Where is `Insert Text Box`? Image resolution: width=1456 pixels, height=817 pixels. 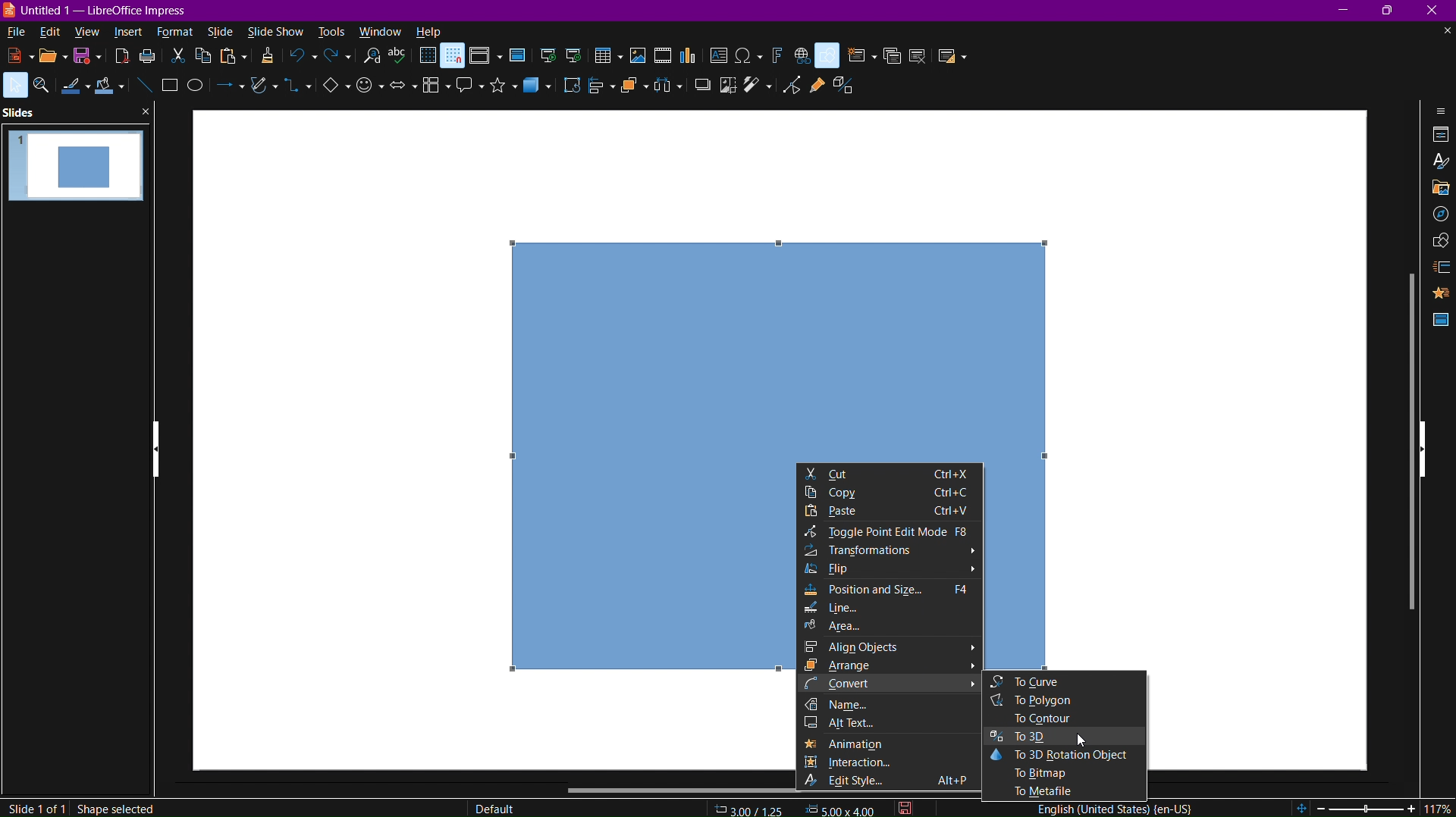
Insert Text Box is located at coordinates (721, 56).